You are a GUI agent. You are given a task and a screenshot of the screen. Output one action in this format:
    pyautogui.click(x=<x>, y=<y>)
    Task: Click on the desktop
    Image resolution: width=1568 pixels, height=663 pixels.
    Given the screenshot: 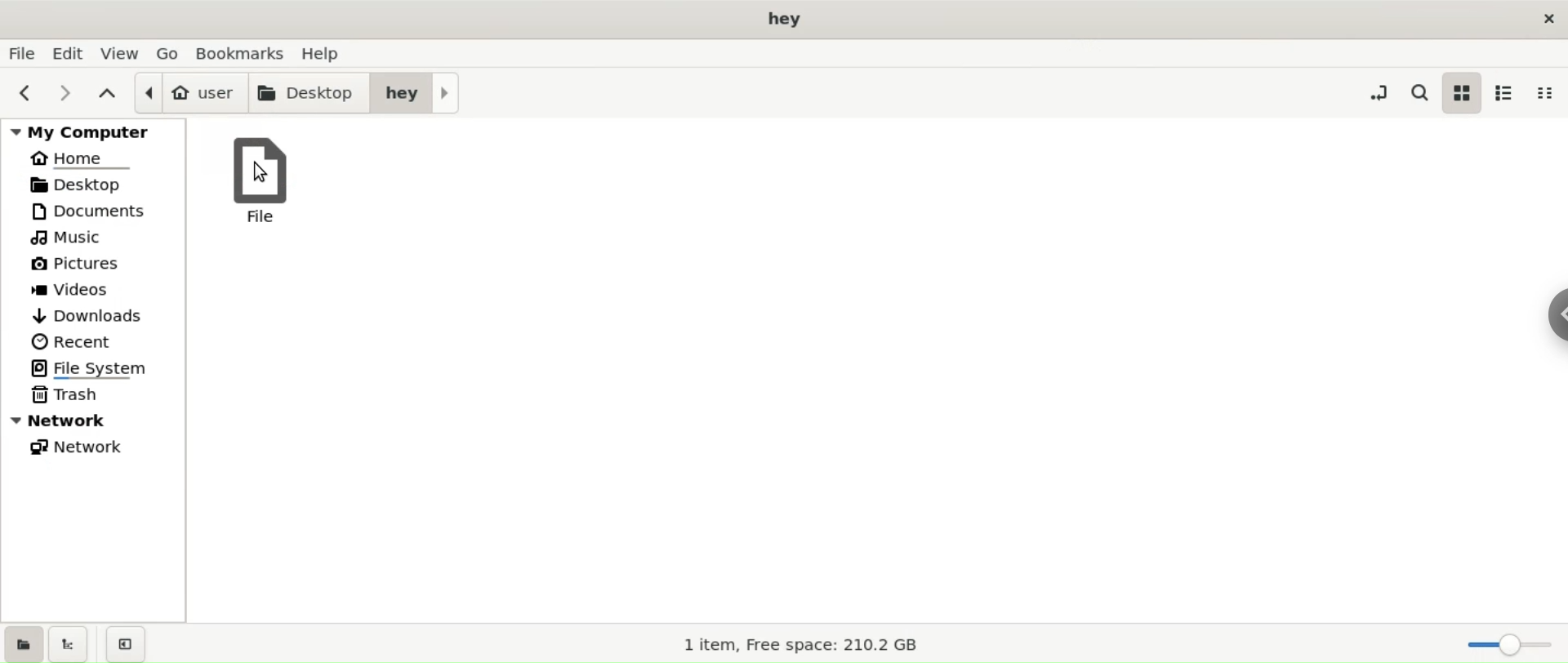 What is the action you would take?
    pyautogui.click(x=310, y=90)
    